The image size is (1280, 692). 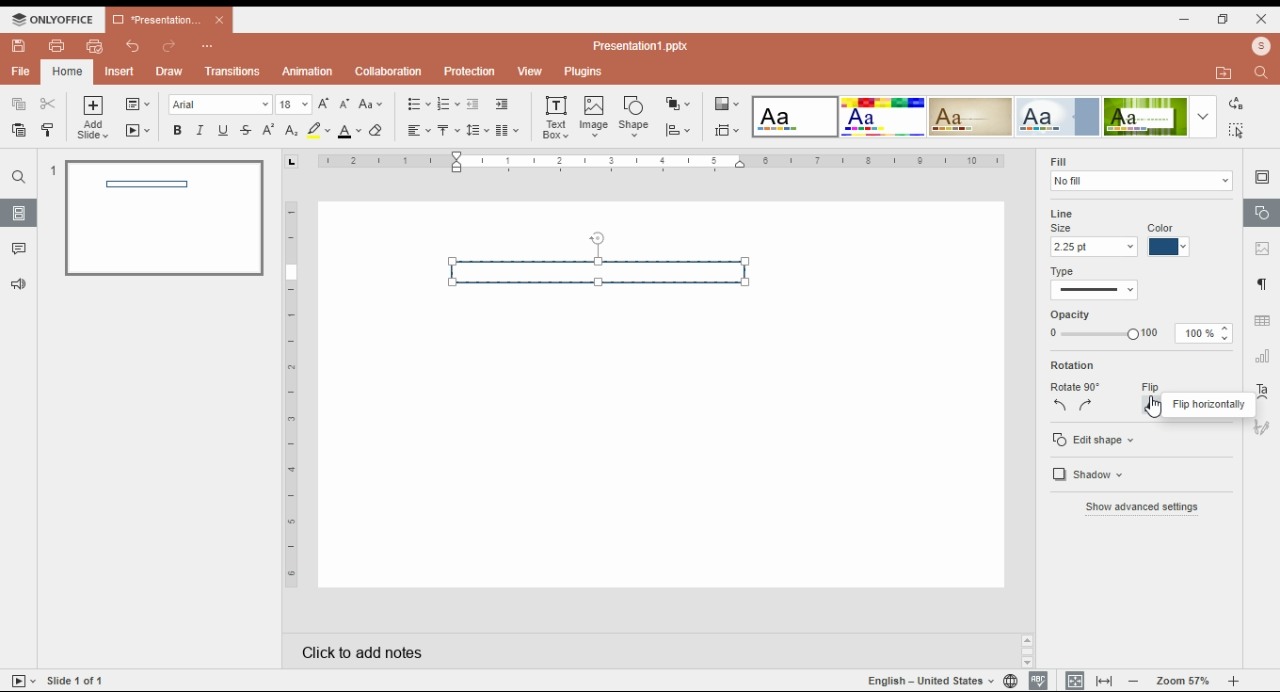 I want to click on protection, so click(x=470, y=70).